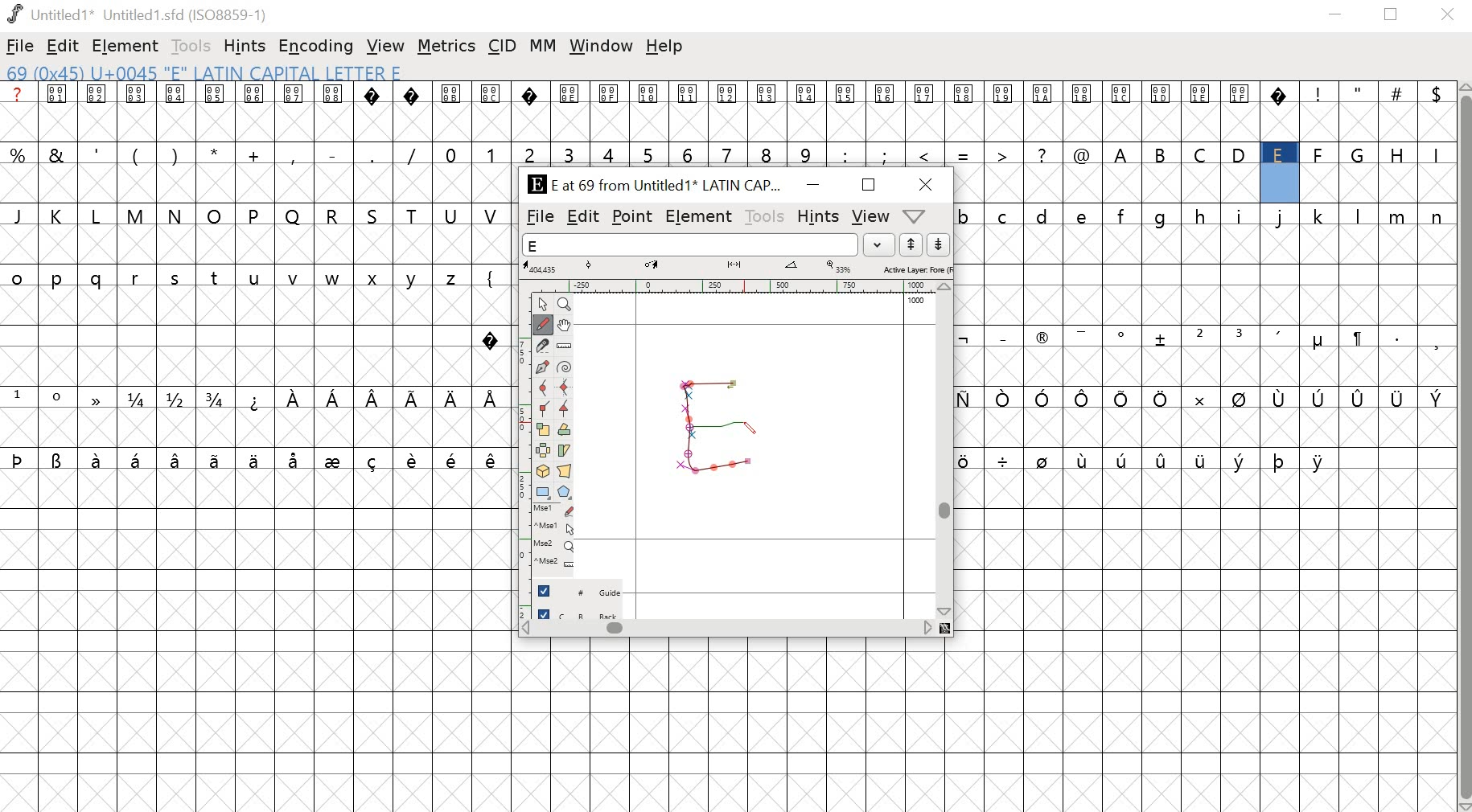  Describe the element at coordinates (731, 285) in the screenshot. I see `ruler` at that location.